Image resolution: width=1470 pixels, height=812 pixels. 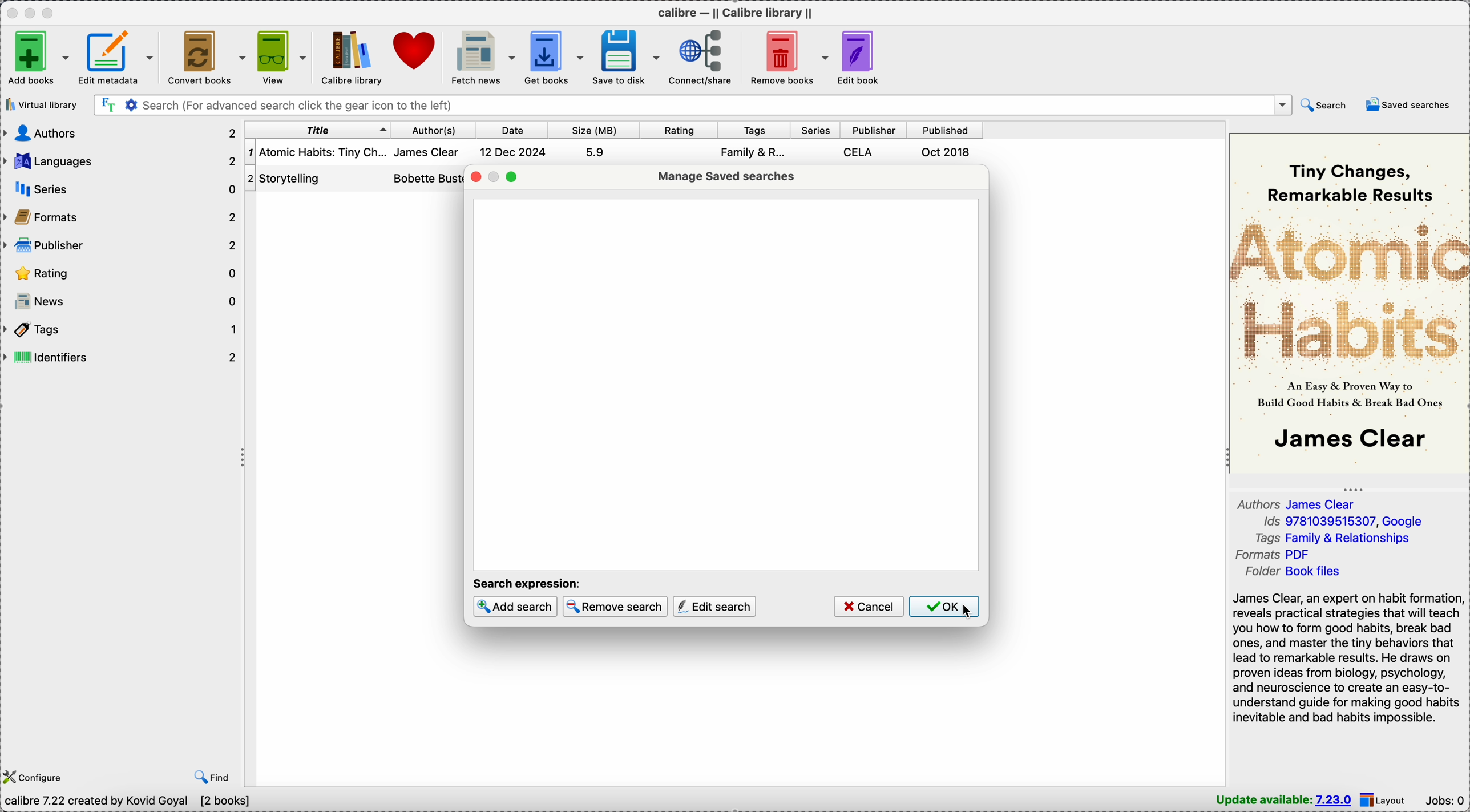 What do you see at coordinates (205, 57) in the screenshot?
I see `convert books` at bounding box center [205, 57].